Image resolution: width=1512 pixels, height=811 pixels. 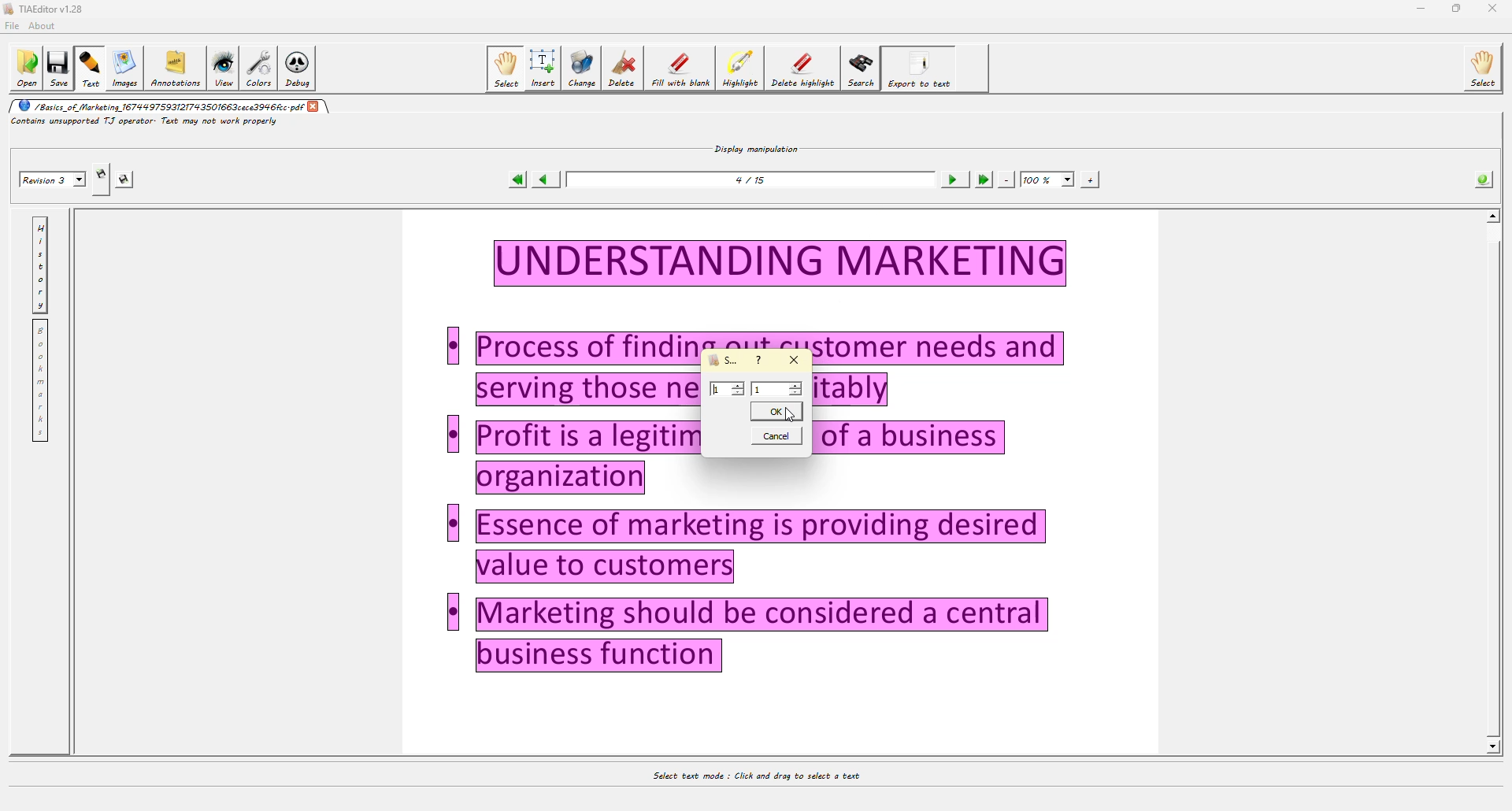 What do you see at coordinates (581, 69) in the screenshot?
I see `change` at bounding box center [581, 69].